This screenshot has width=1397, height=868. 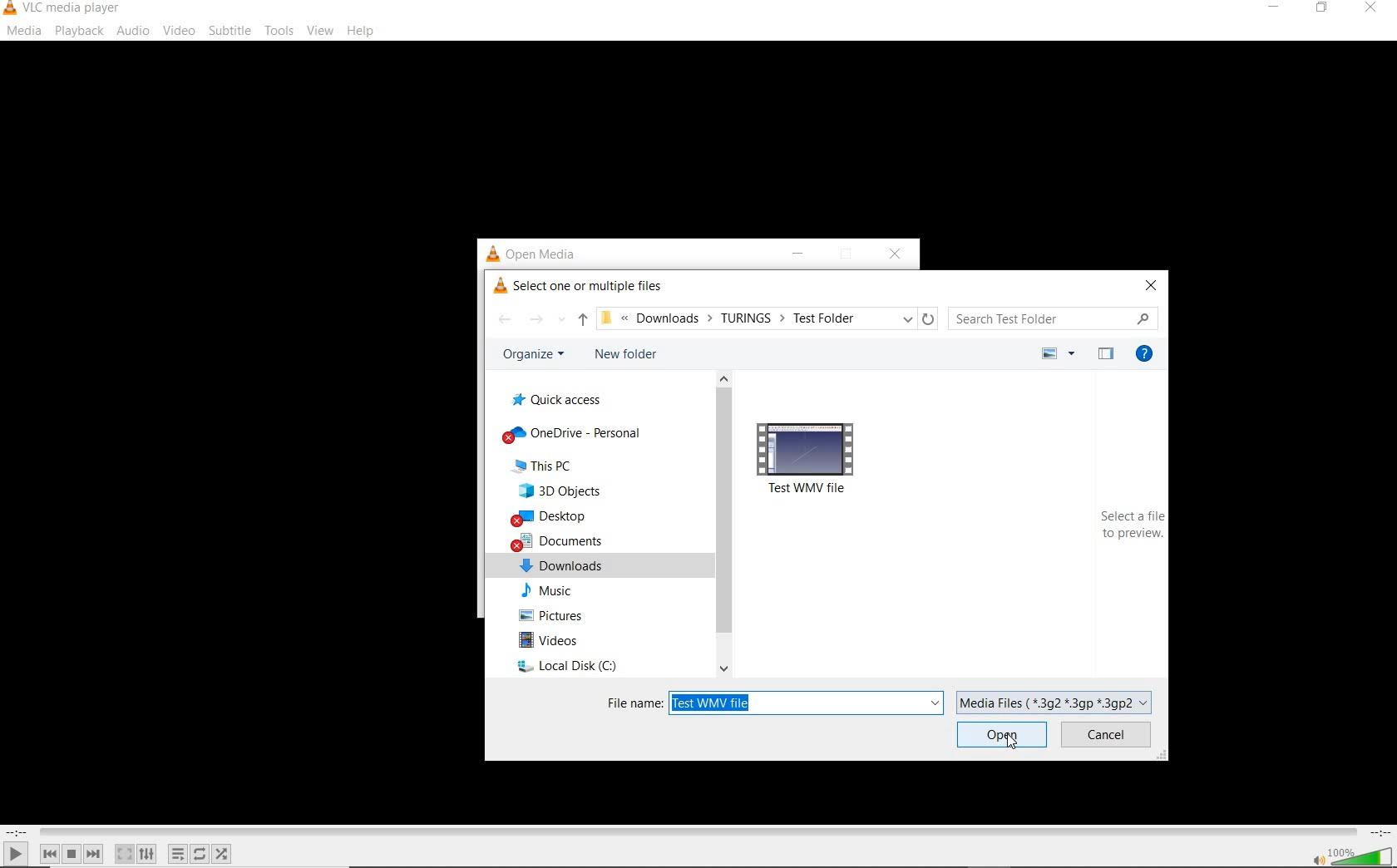 I want to click on play, so click(x=16, y=853).